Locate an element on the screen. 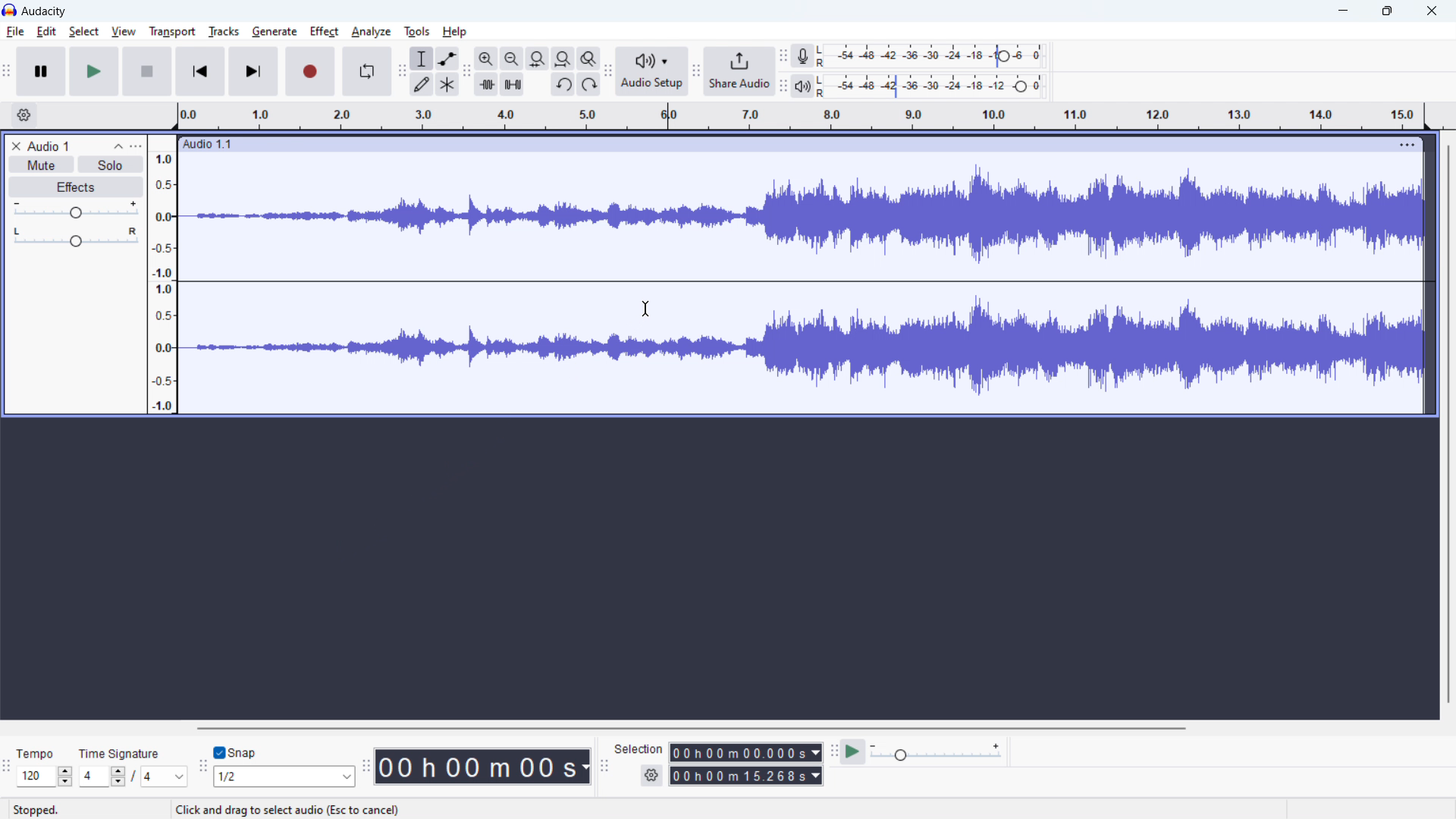 Image resolution: width=1456 pixels, height=819 pixels. help is located at coordinates (455, 32).